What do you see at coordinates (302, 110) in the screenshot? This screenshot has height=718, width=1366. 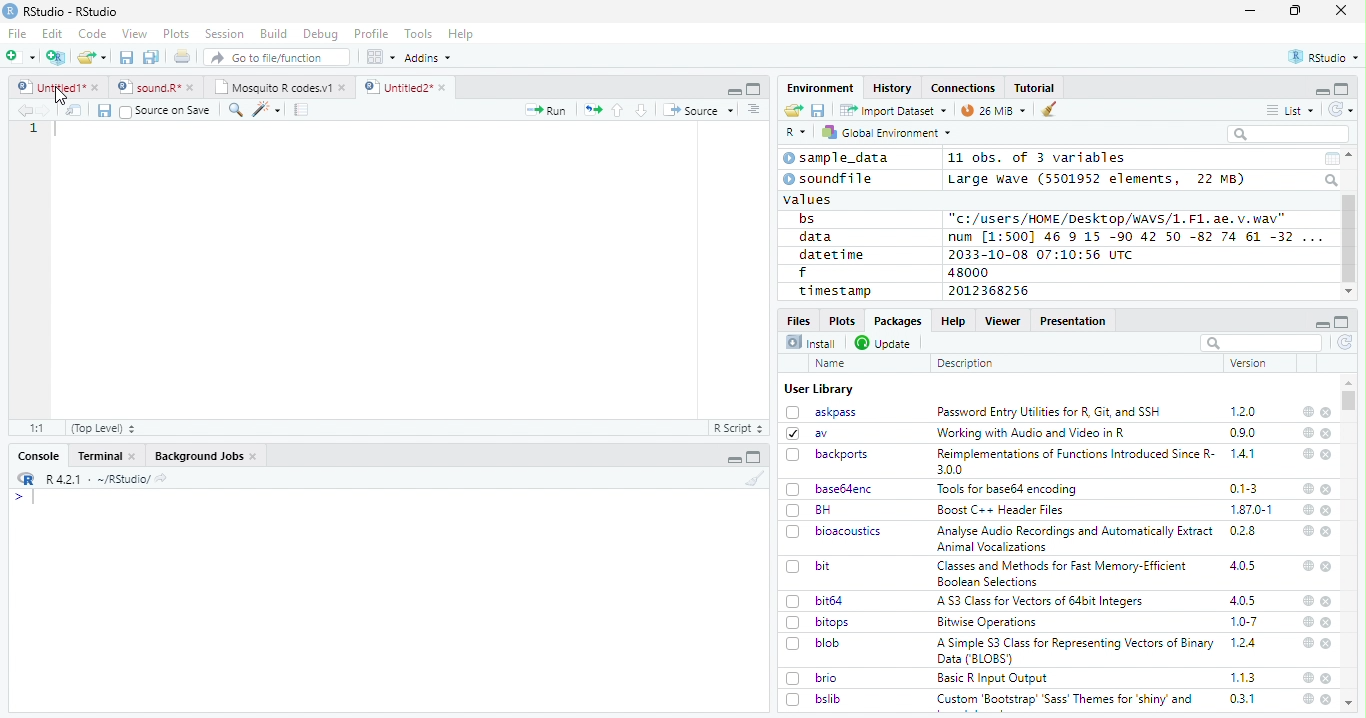 I see `Compile report` at bounding box center [302, 110].